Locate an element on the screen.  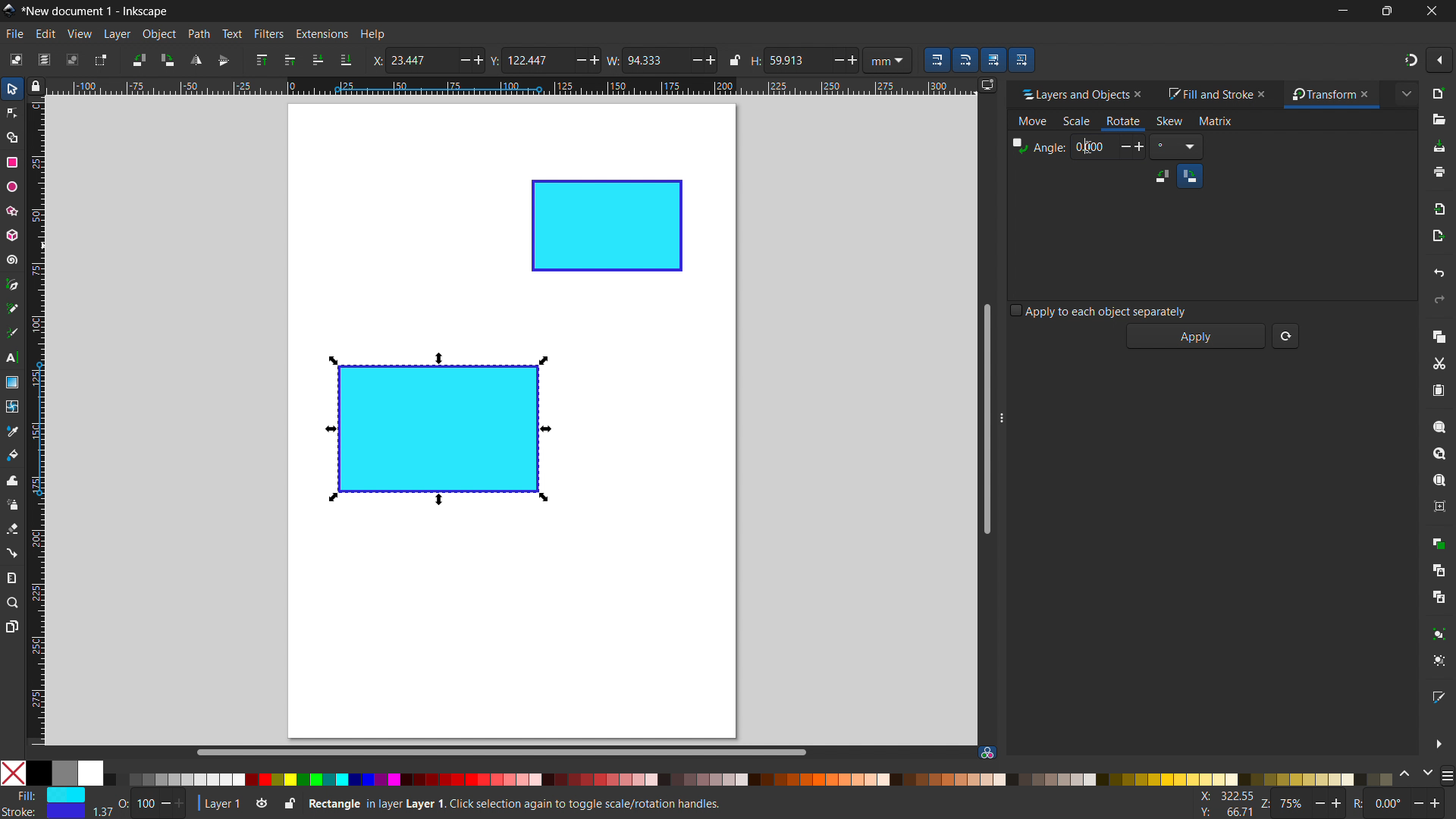
Degree is located at coordinates (1177, 146).